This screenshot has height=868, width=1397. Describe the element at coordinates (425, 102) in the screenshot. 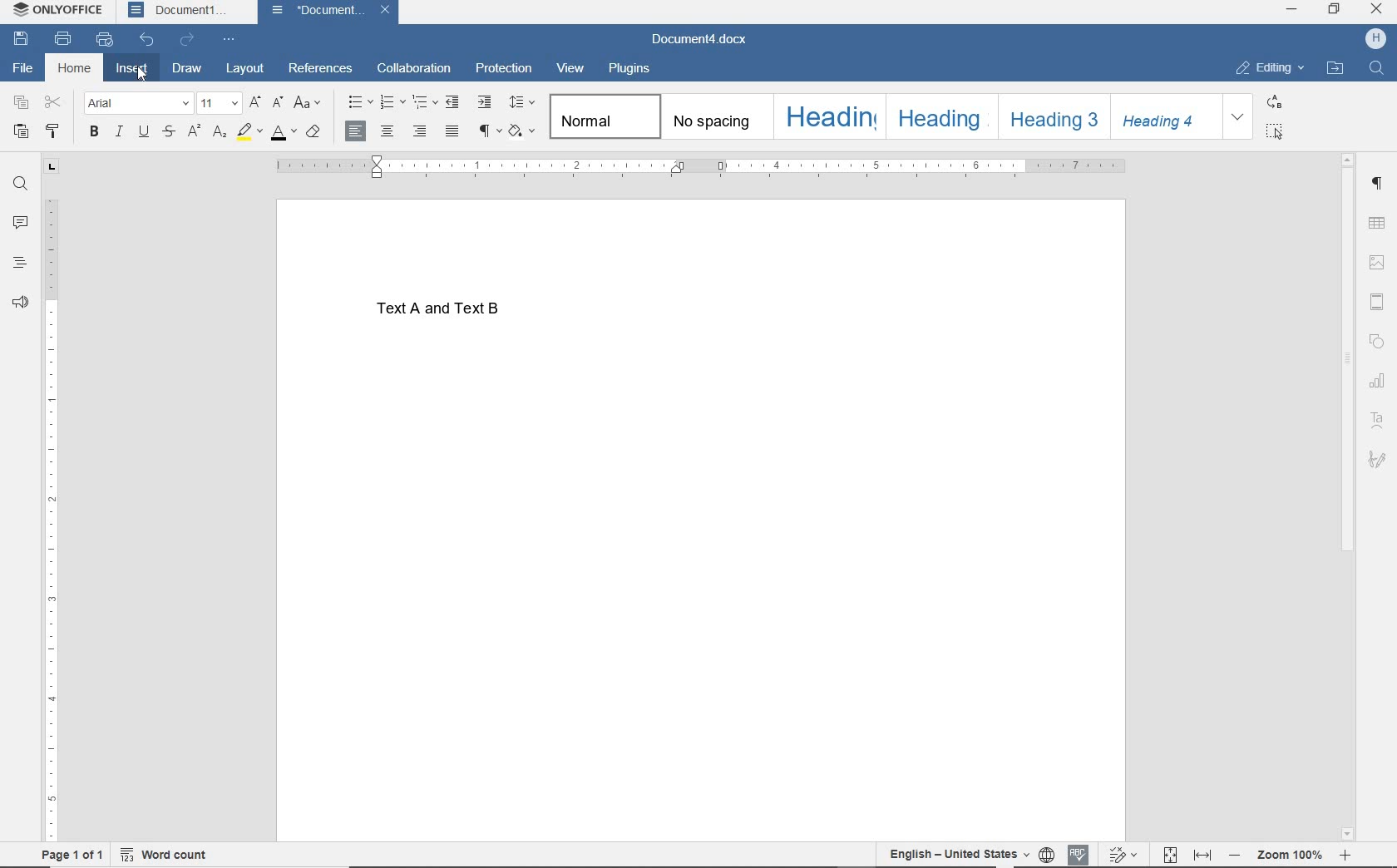

I see `MULTILEVEL LIST` at that location.